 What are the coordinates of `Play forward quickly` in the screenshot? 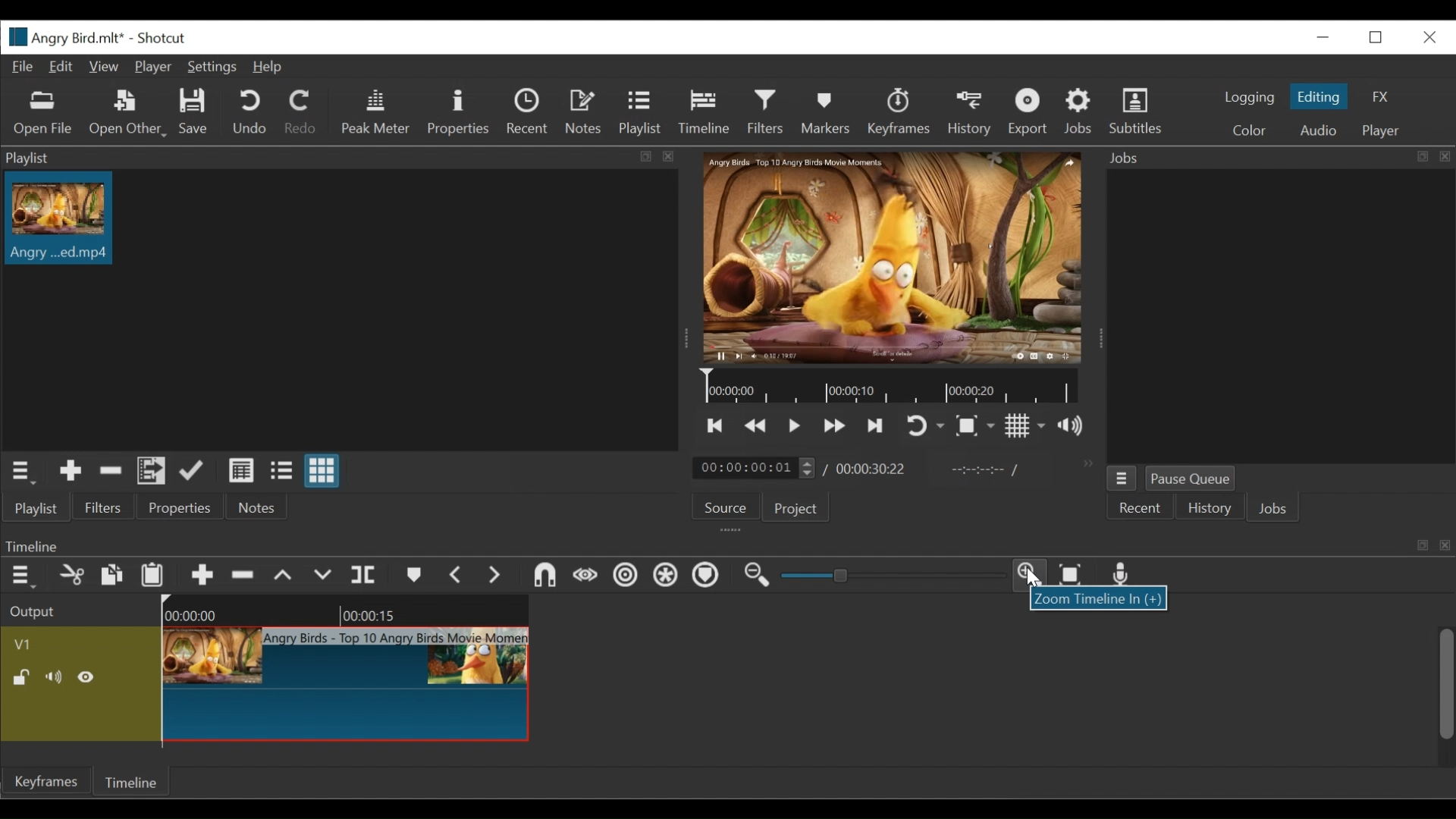 It's located at (832, 425).